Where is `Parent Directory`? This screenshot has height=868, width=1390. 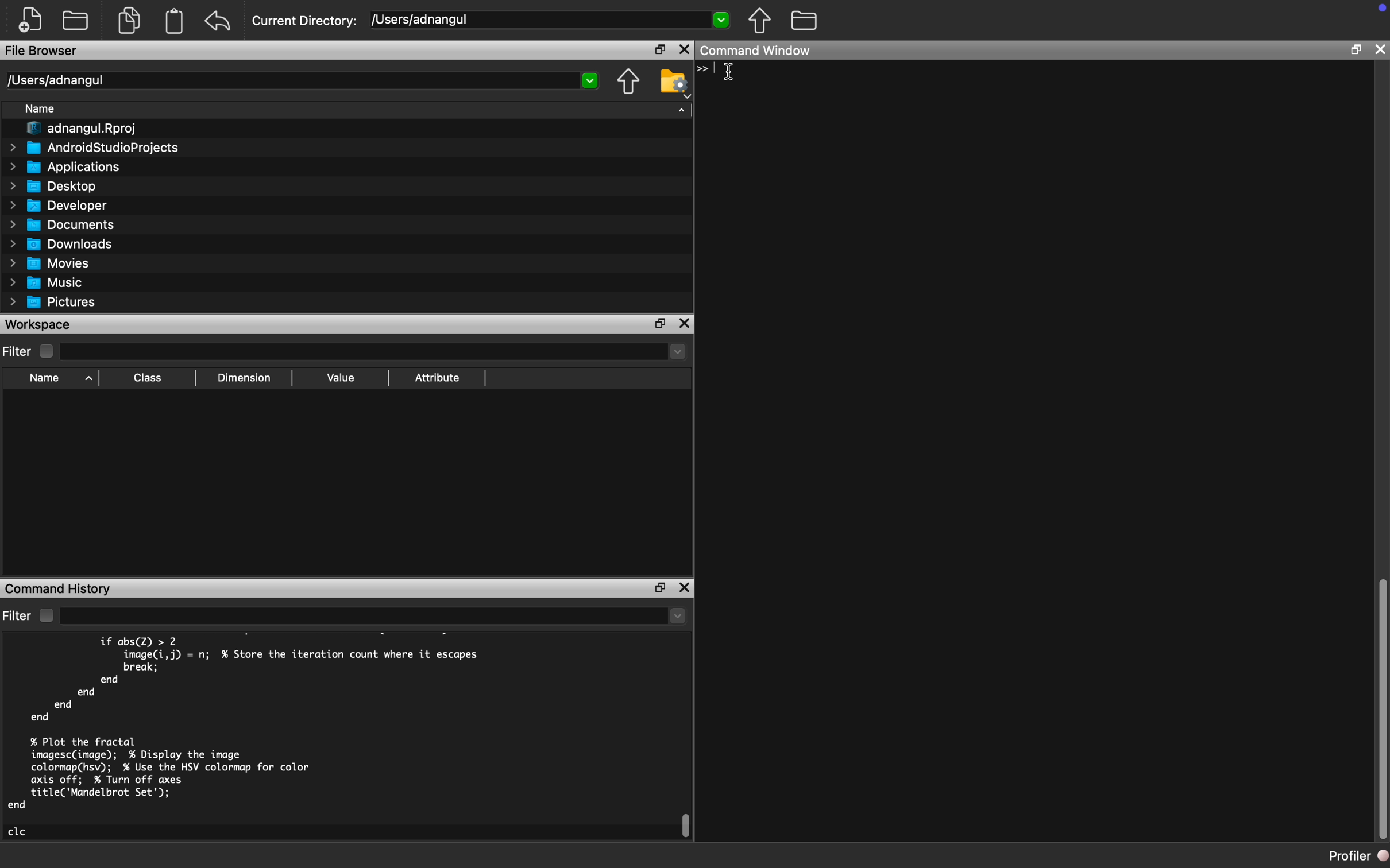
Parent Directory is located at coordinates (761, 22).